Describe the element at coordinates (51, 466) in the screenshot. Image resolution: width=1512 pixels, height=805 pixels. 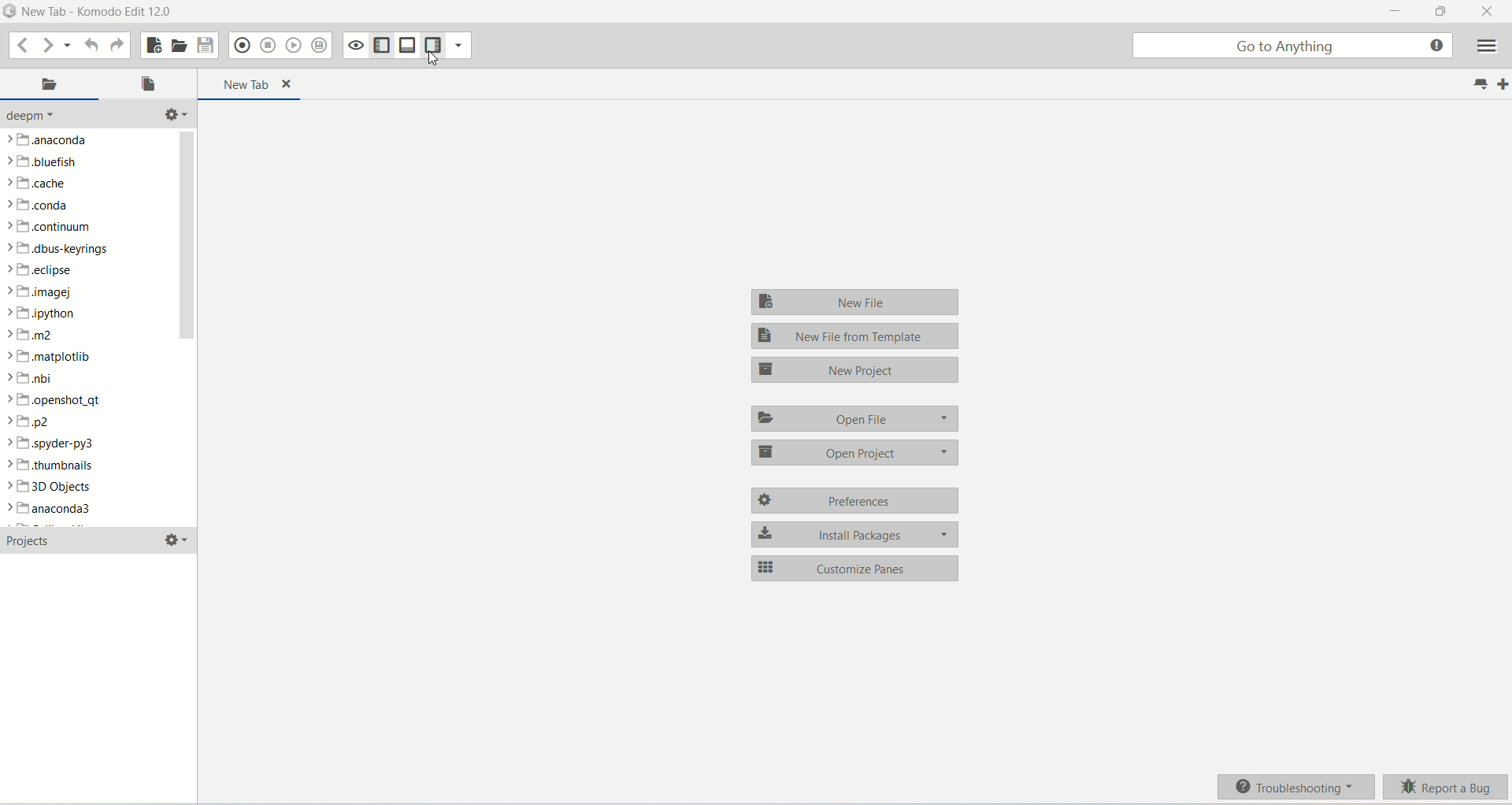
I see `thumbnails` at that location.